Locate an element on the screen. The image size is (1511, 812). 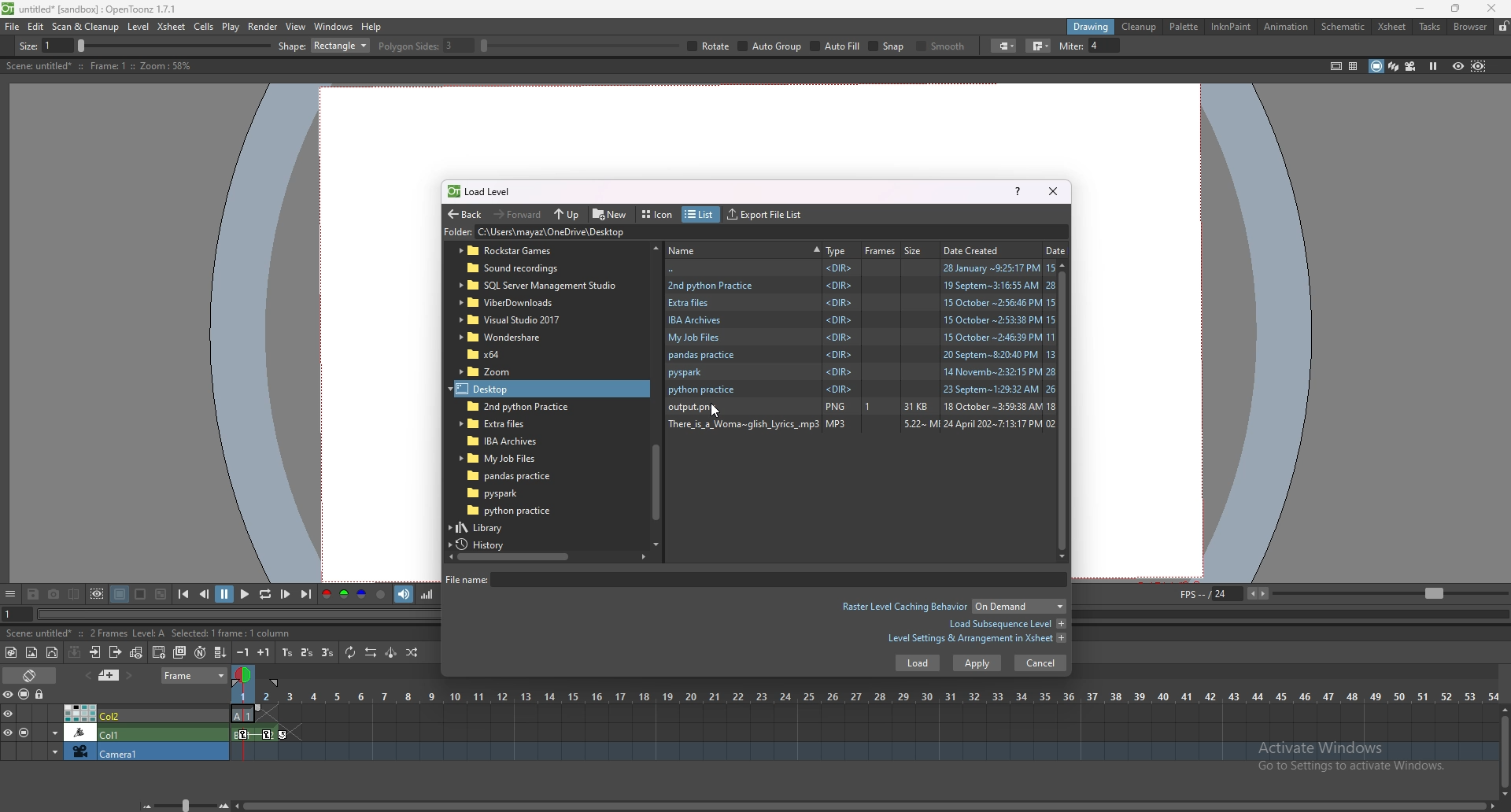
folder is located at coordinates (861, 390).